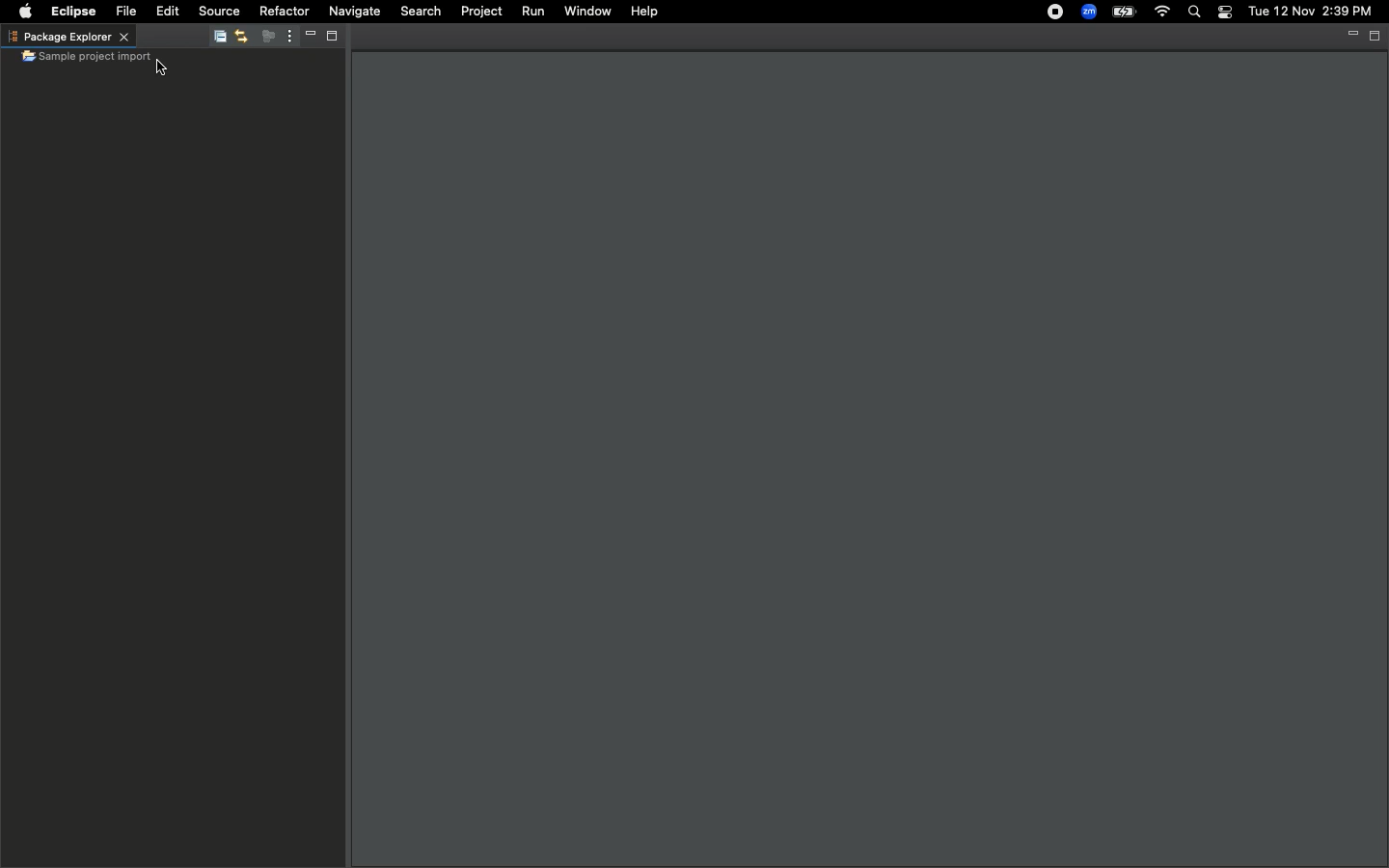  What do you see at coordinates (1375, 36) in the screenshot?
I see `Maximize` at bounding box center [1375, 36].